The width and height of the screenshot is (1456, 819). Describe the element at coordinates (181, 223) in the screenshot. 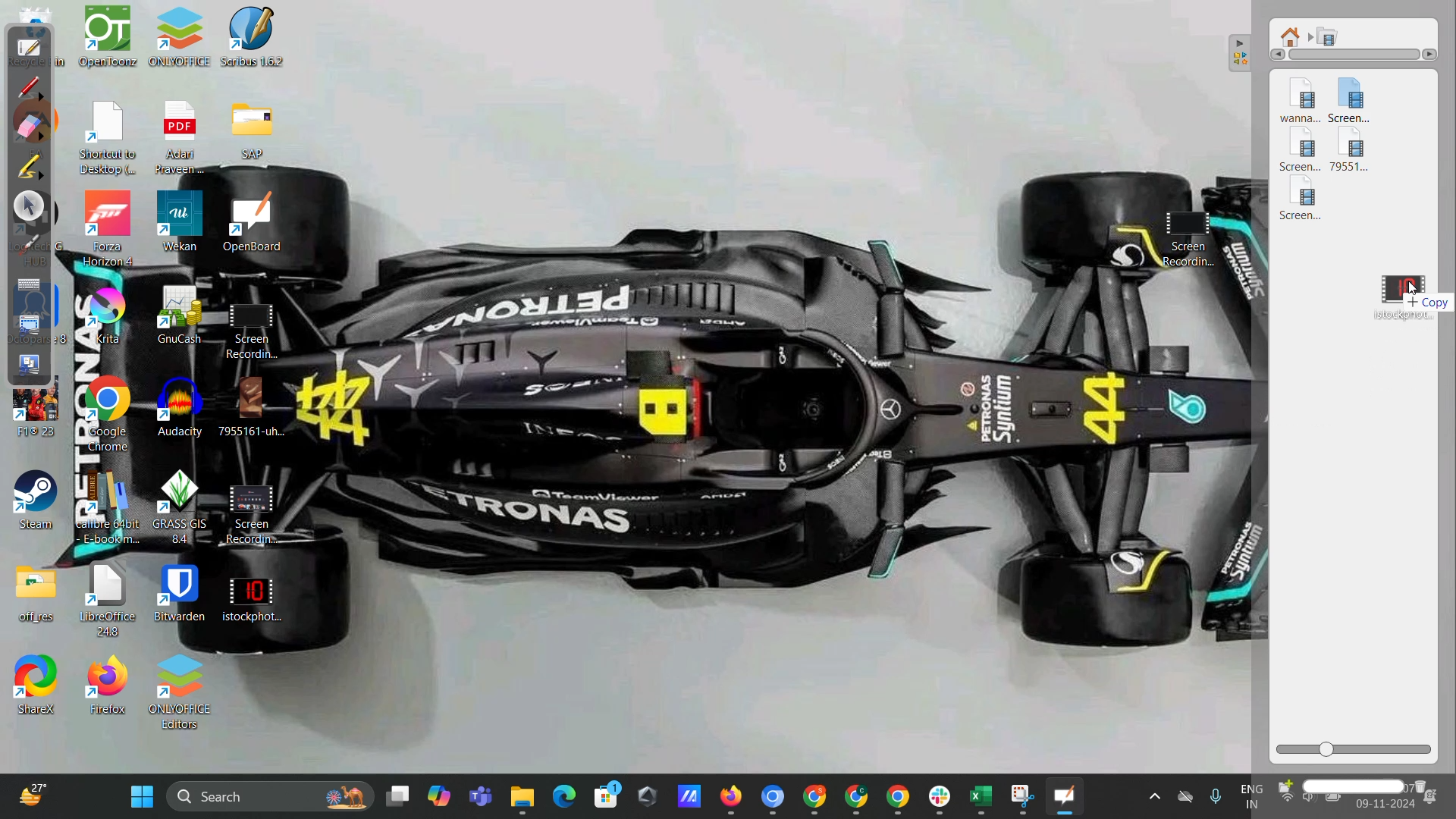

I see `Wekan` at that location.